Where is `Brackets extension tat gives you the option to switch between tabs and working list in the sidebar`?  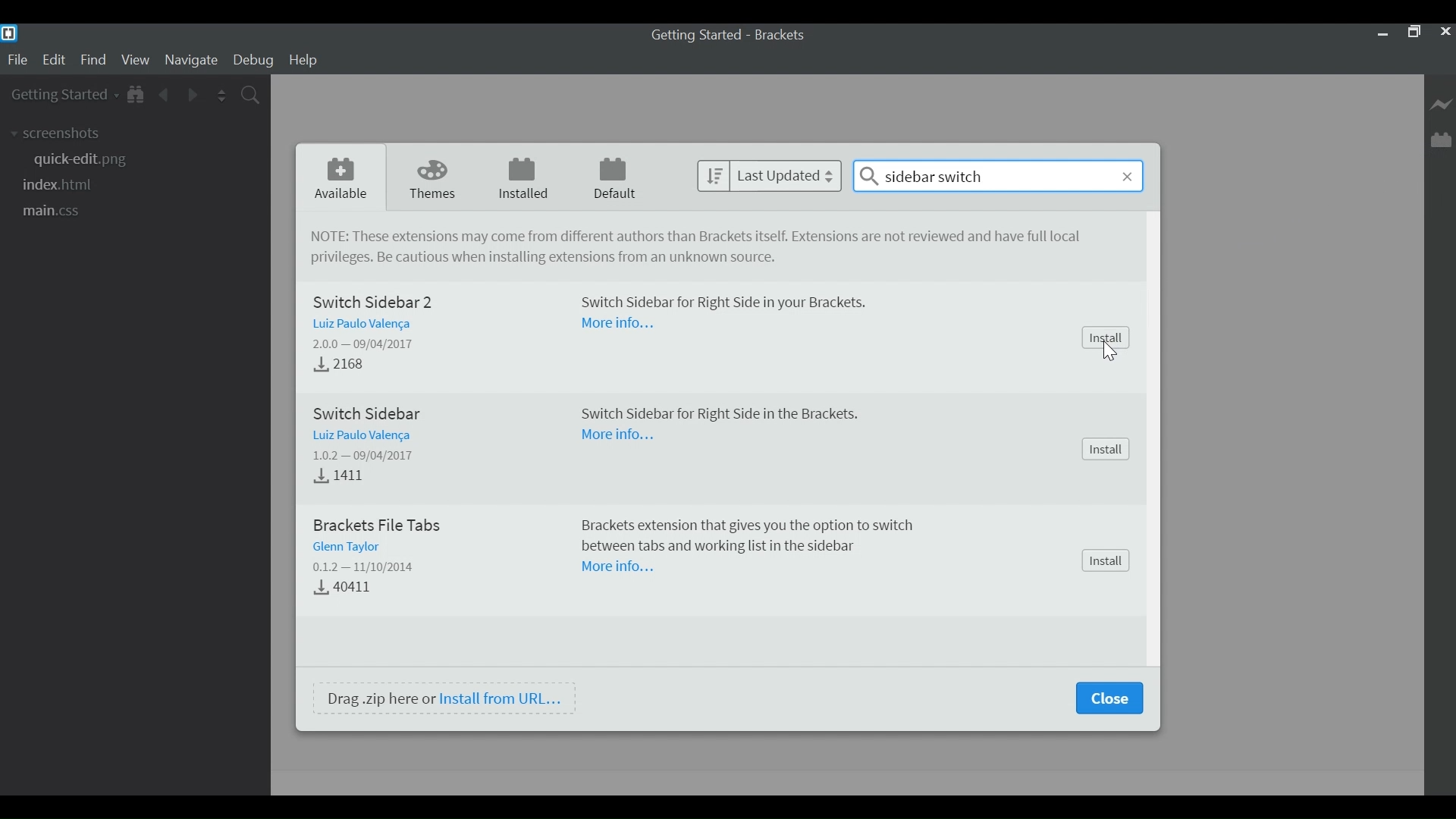
Brackets extension tat gives you the option to switch between tabs and working list in the sidebar is located at coordinates (750, 536).